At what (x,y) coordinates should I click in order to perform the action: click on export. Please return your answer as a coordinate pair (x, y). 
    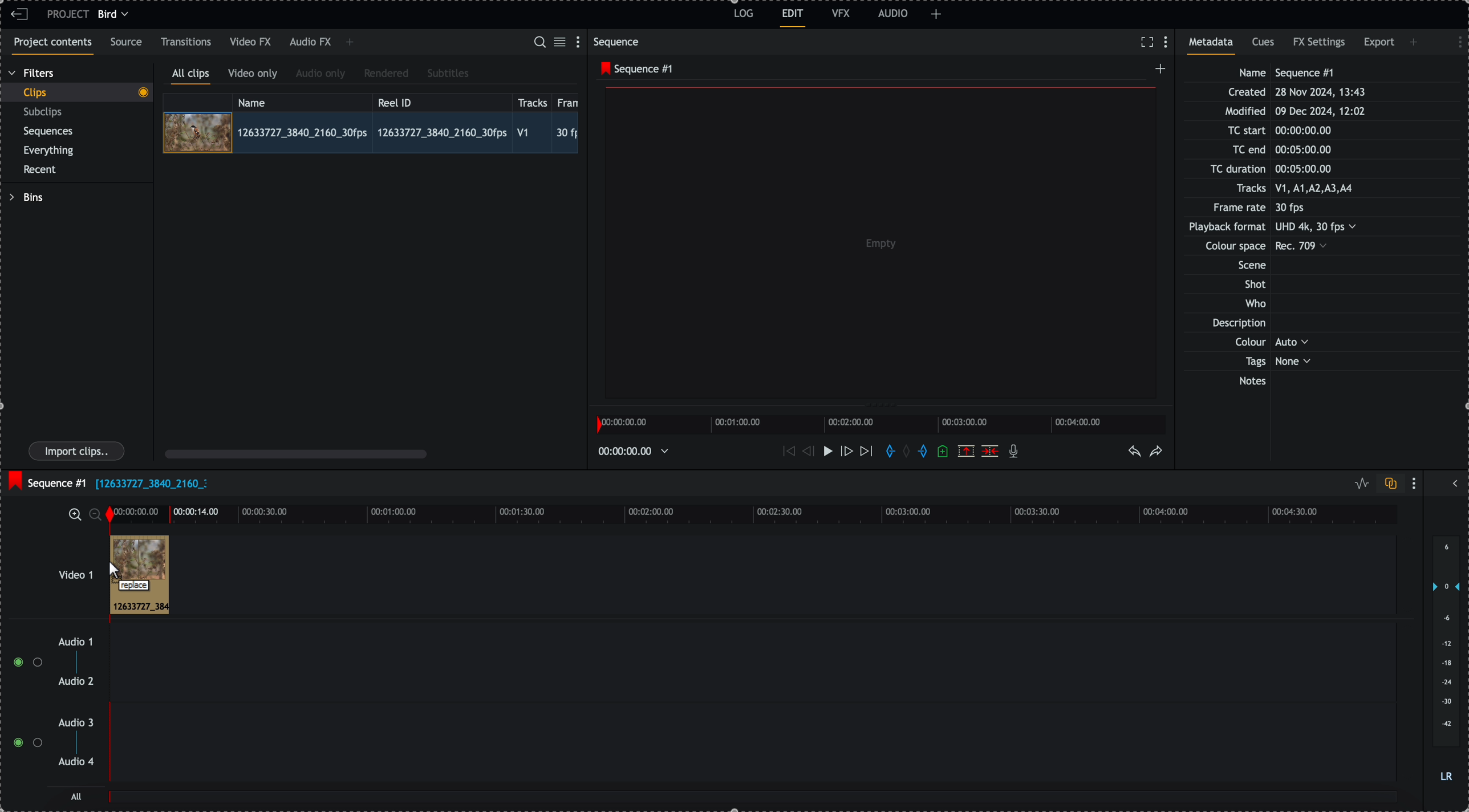
    Looking at the image, I should click on (1379, 44).